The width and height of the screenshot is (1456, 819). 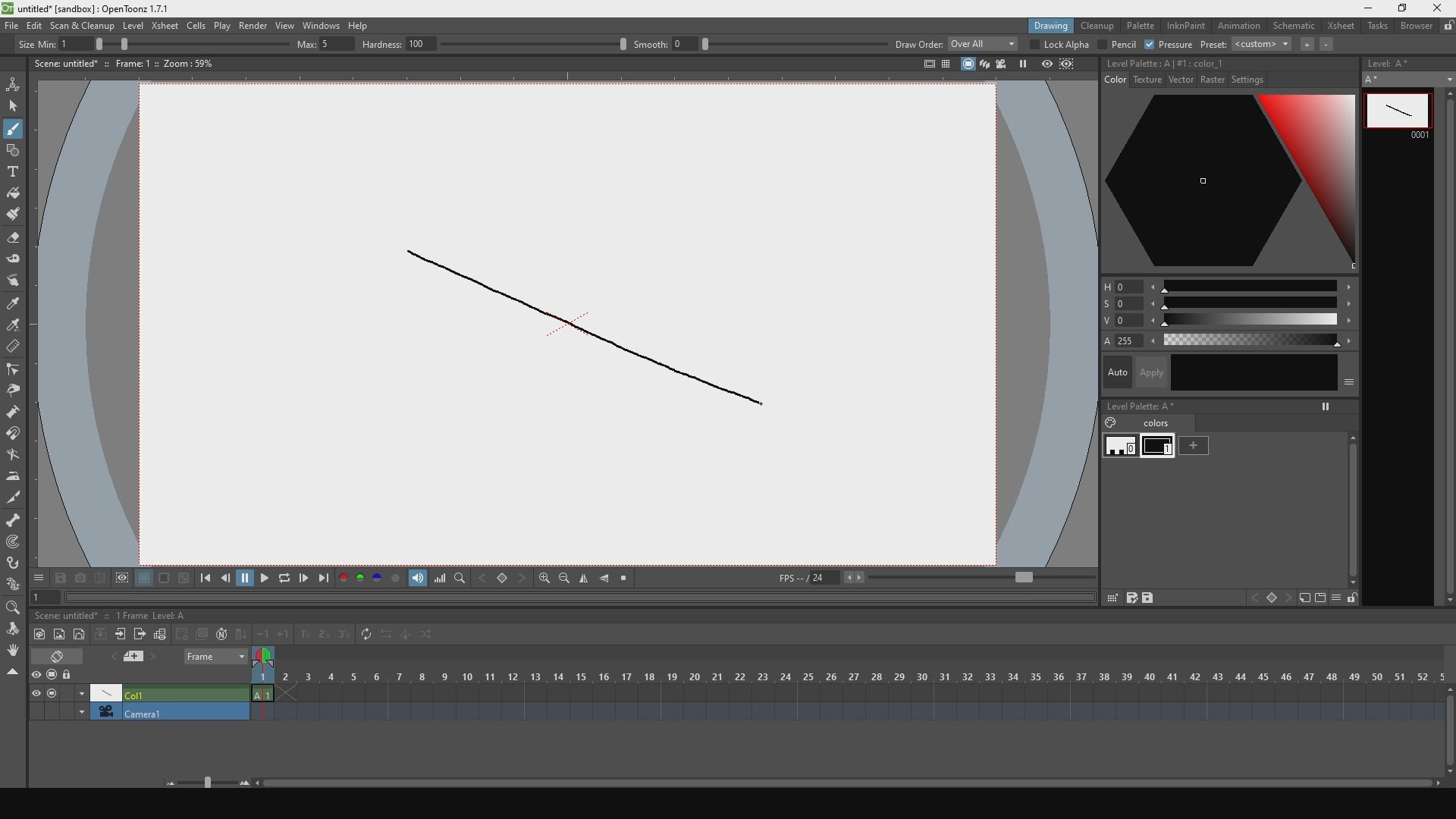 What do you see at coordinates (1213, 45) in the screenshot?
I see `preset` at bounding box center [1213, 45].